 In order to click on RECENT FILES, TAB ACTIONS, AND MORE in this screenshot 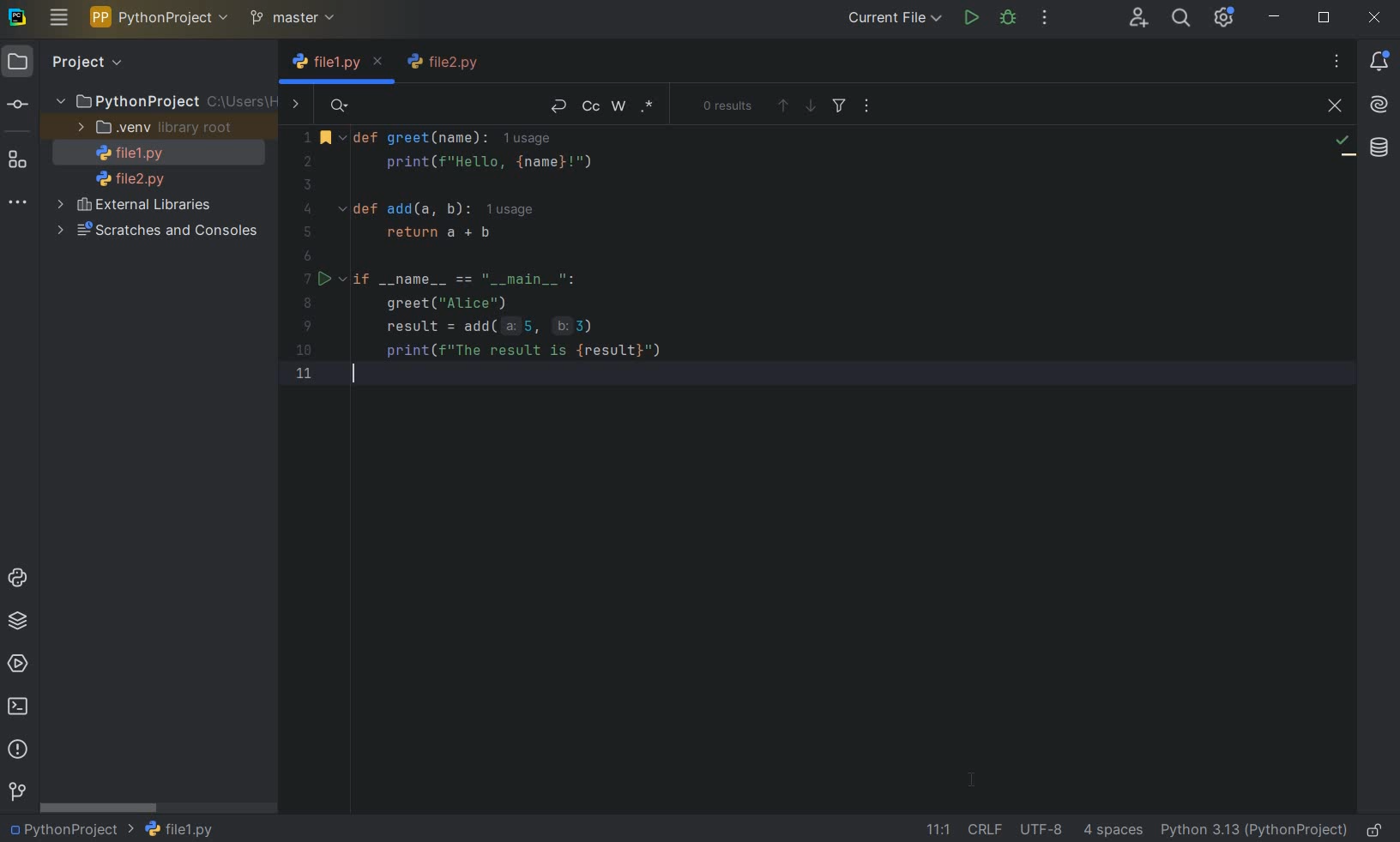, I will do `click(1336, 61)`.